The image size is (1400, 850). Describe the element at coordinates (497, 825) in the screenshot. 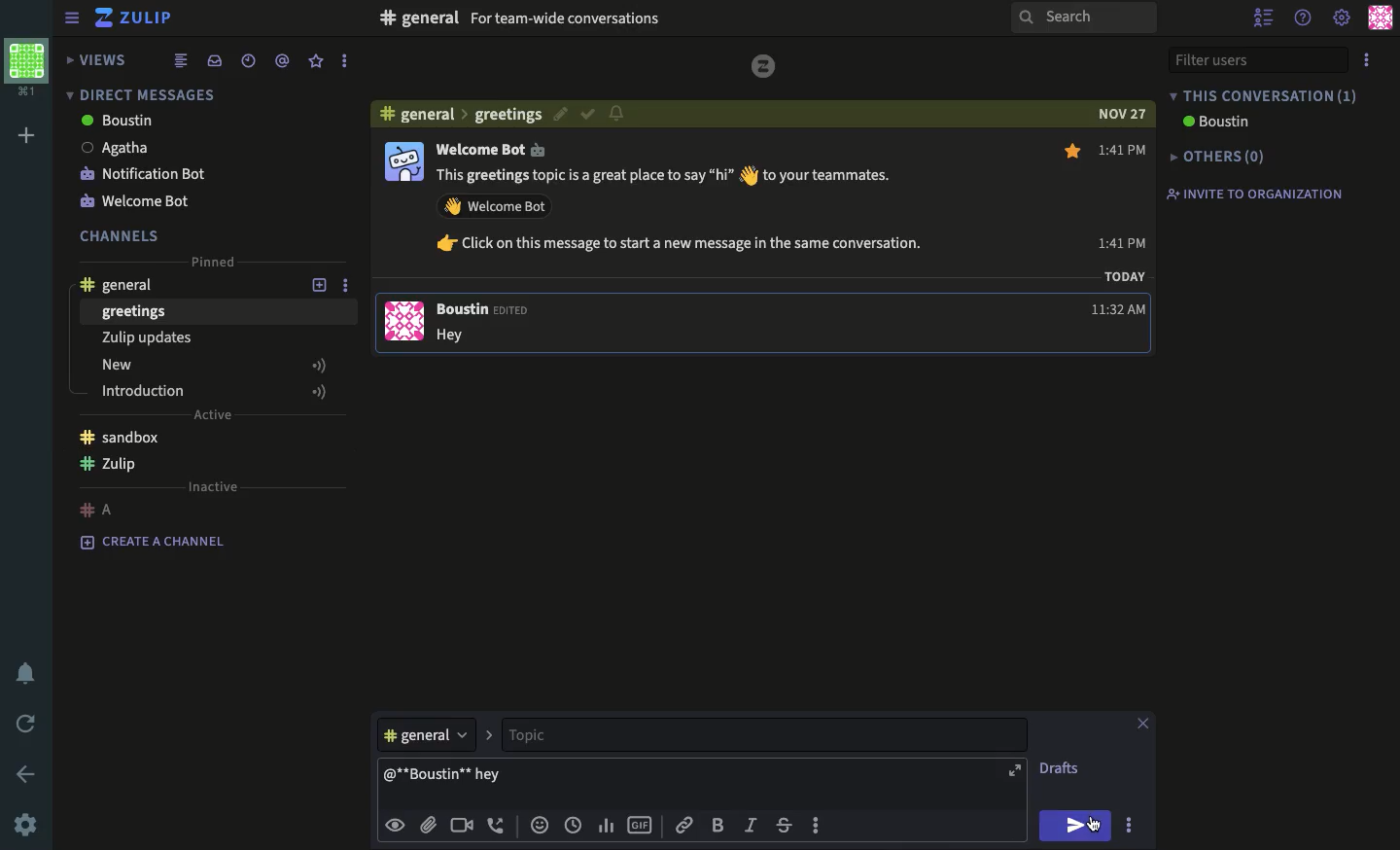

I see `audio call` at that location.